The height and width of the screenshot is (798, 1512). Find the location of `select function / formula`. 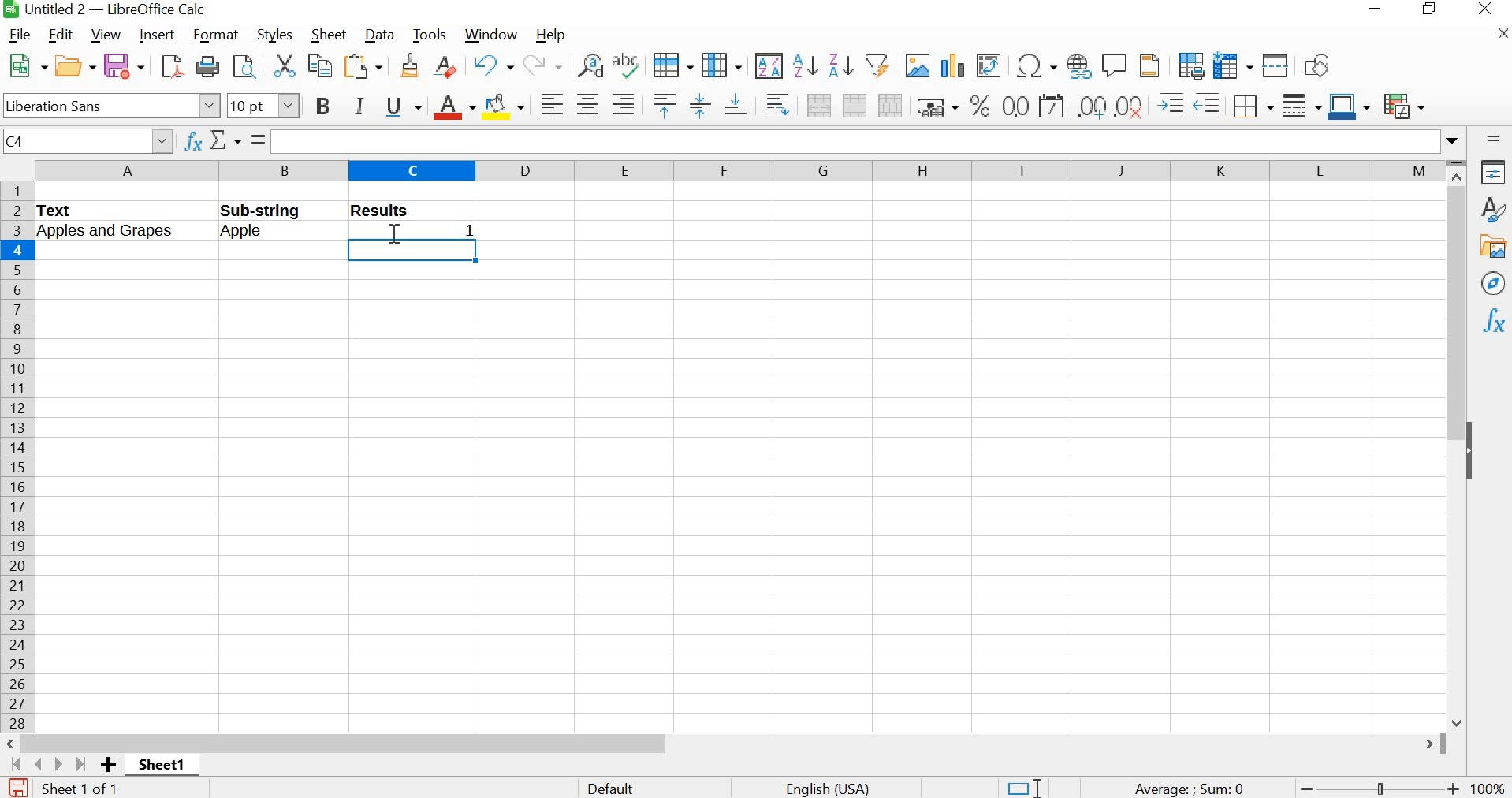

select function / formula is located at coordinates (240, 141).